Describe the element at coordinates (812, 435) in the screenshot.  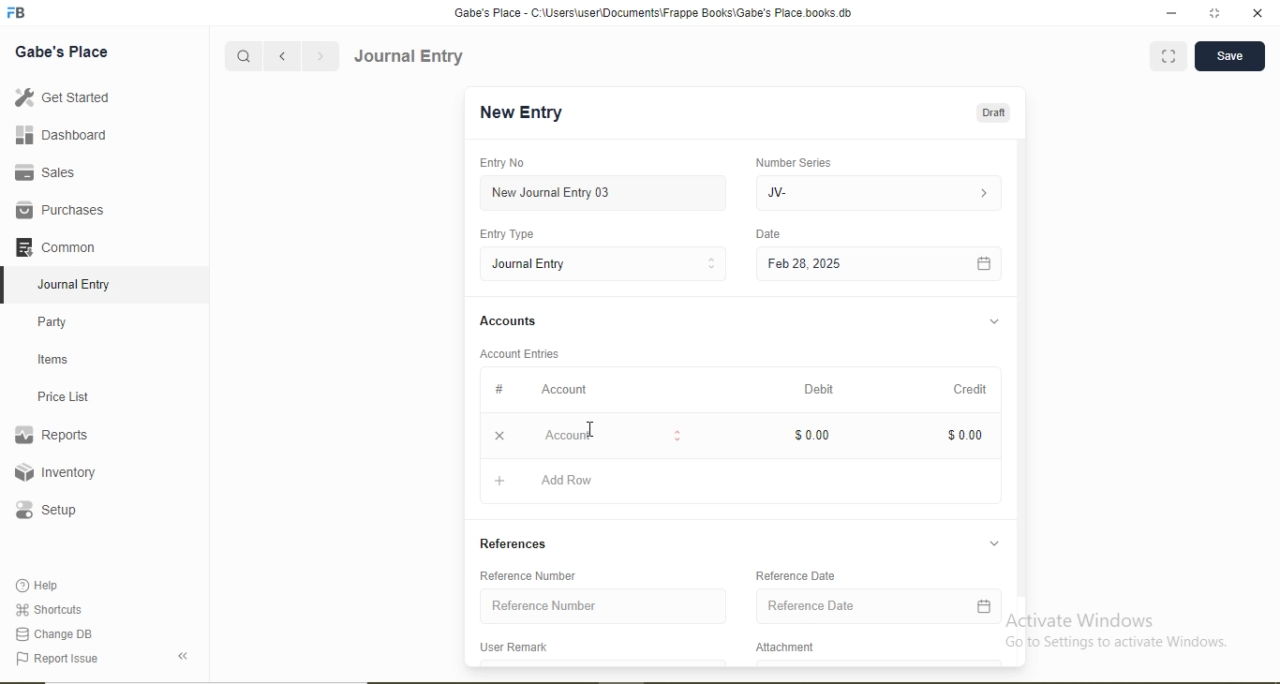
I see `$0.00` at that location.